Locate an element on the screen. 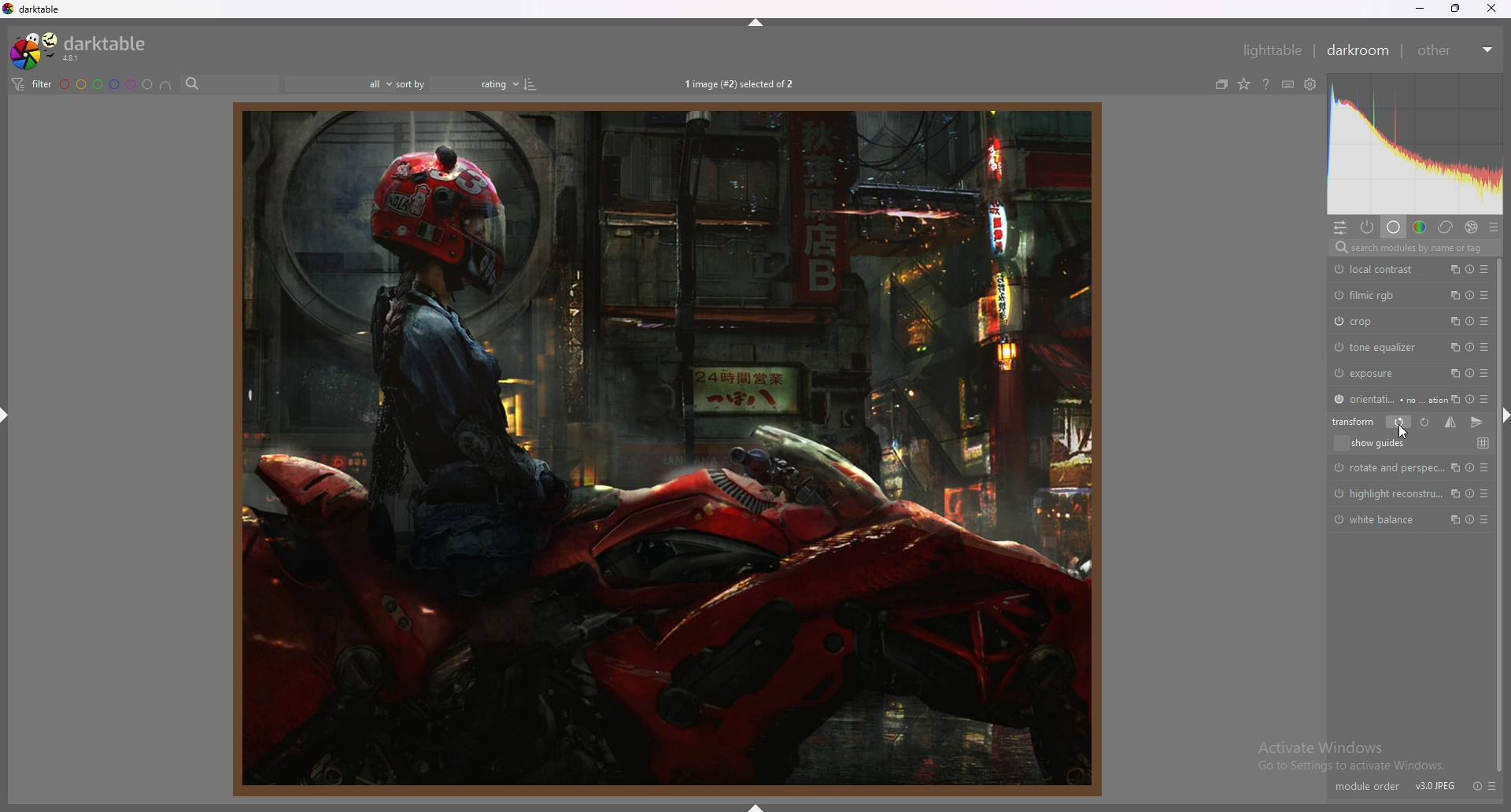 The image size is (1511, 812). resize is located at coordinates (1454, 8).